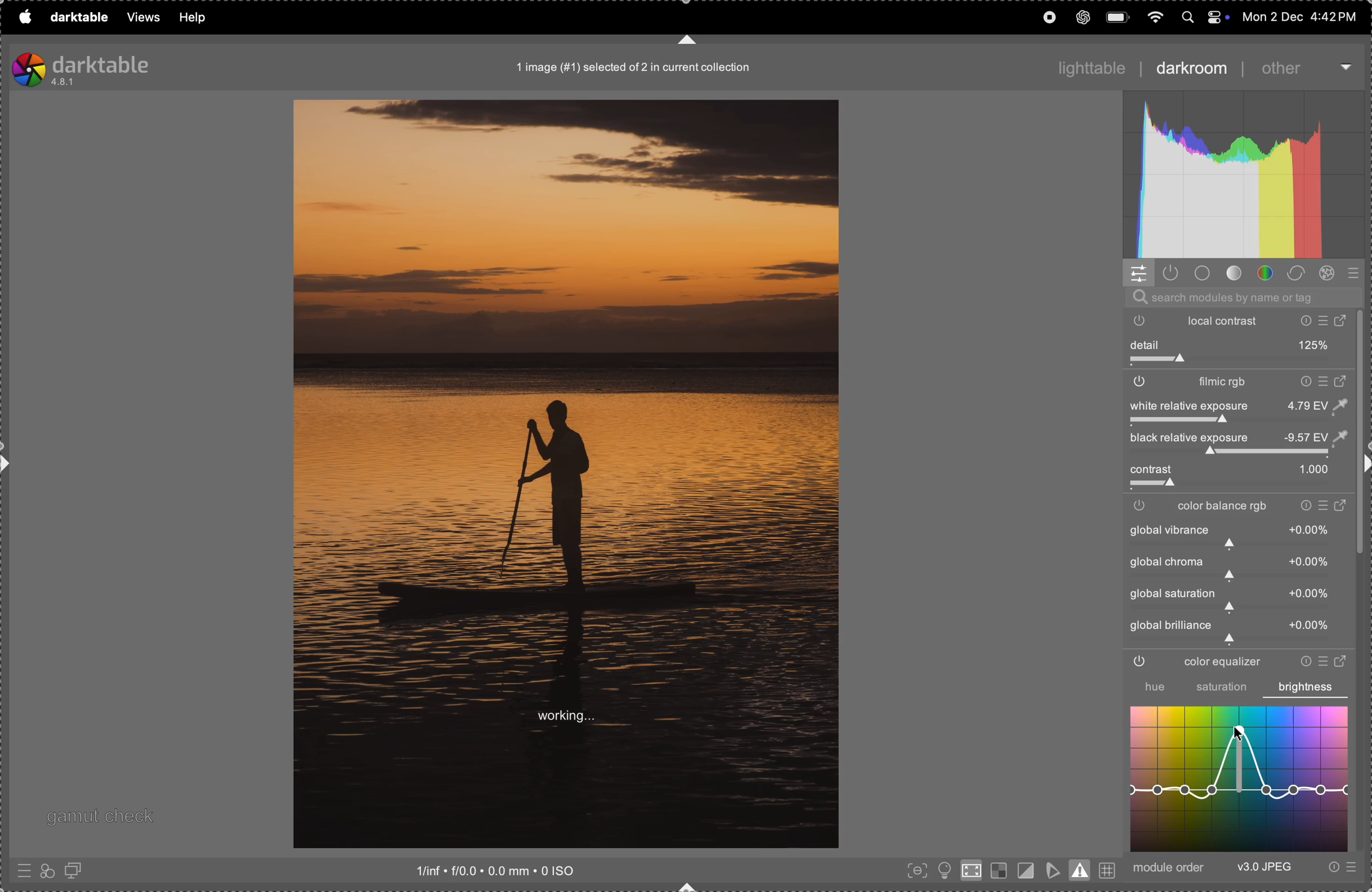 Image resolution: width=1372 pixels, height=892 pixels. Describe the element at coordinates (76, 16) in the screenshot. I see `darktable` at that location.